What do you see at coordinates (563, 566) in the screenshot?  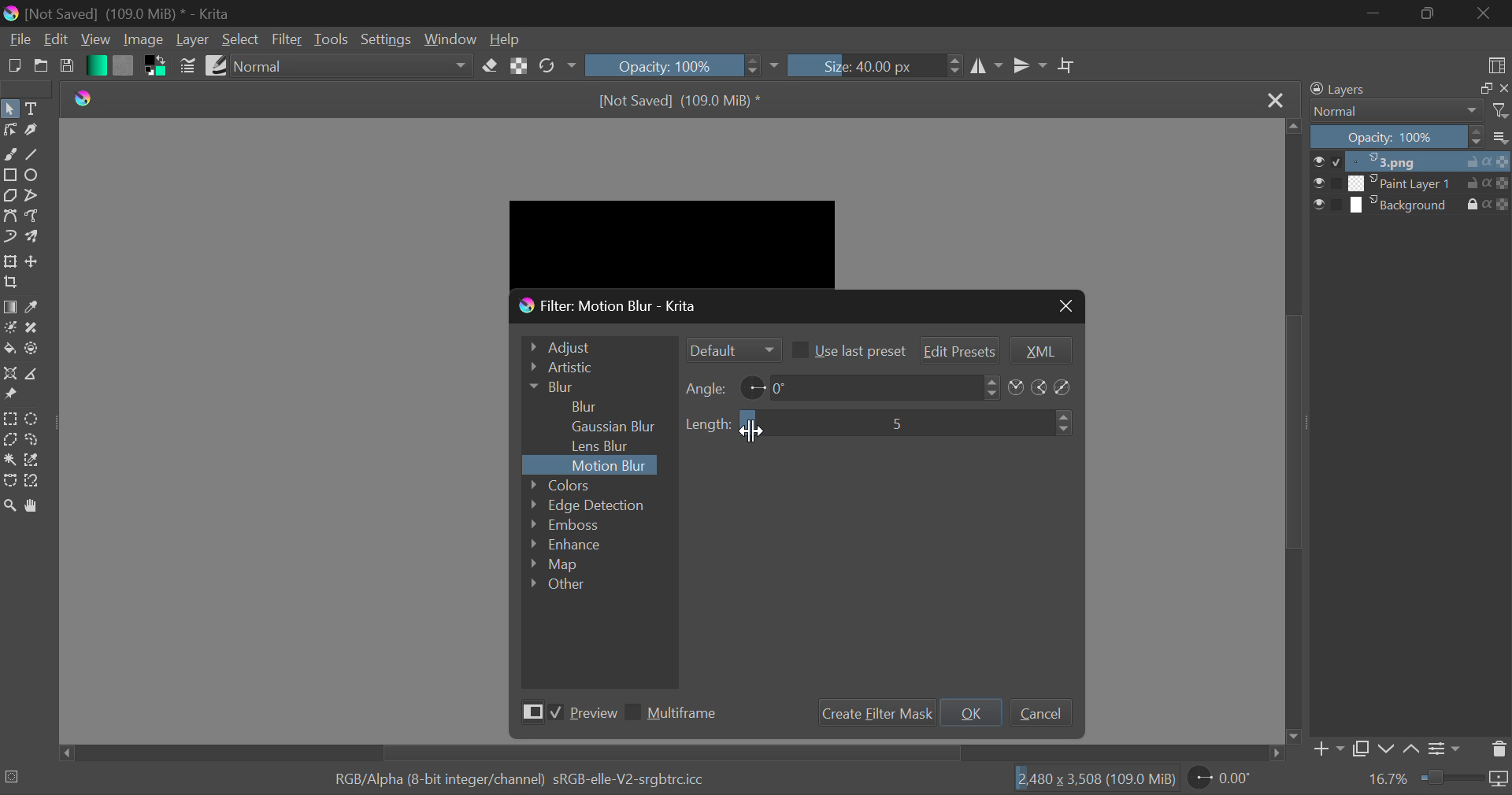 I see `Map` at bounding box center [563, 566].